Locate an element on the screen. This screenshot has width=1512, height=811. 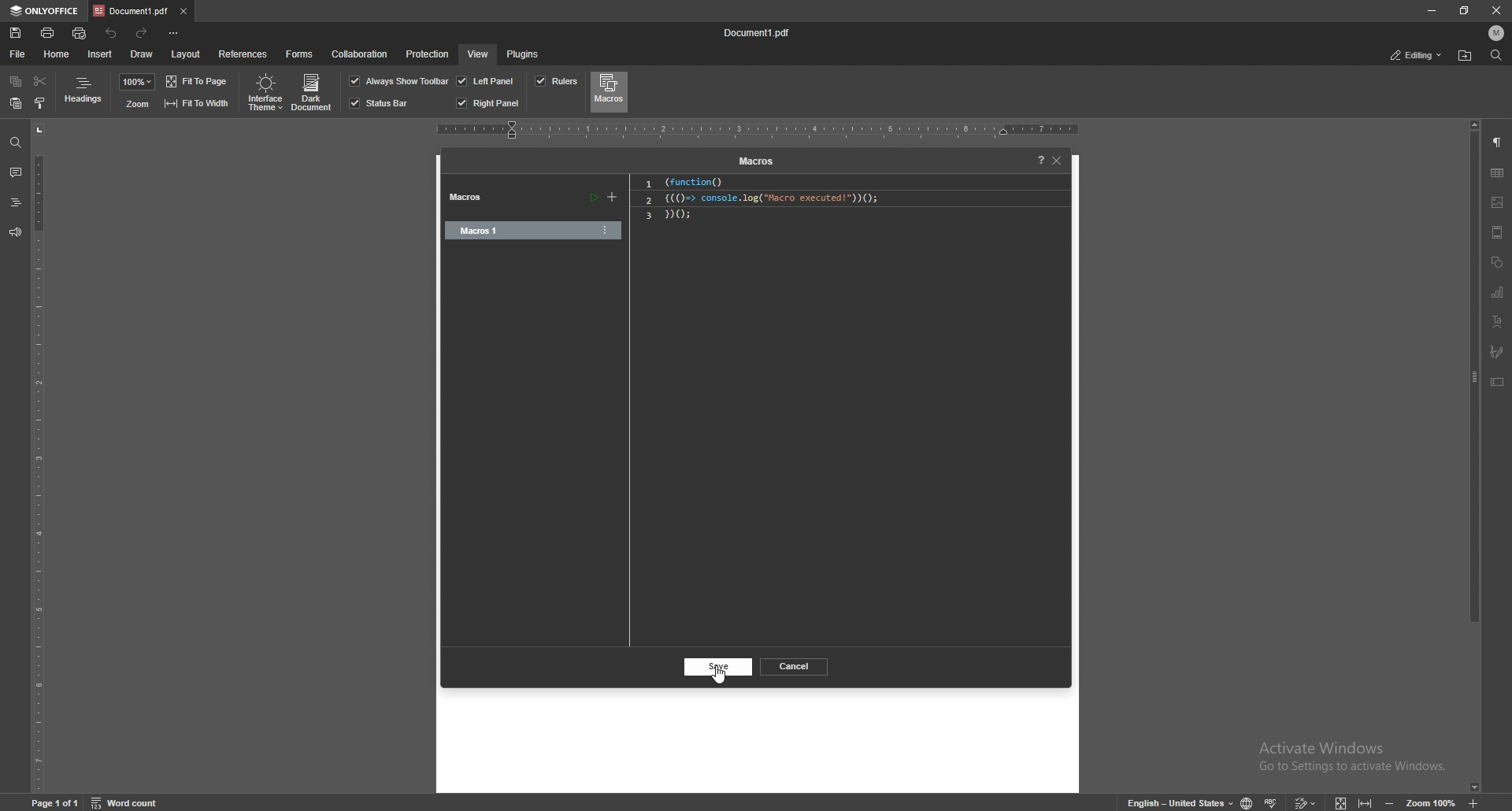
rulers is located at coordinates (556, 81).